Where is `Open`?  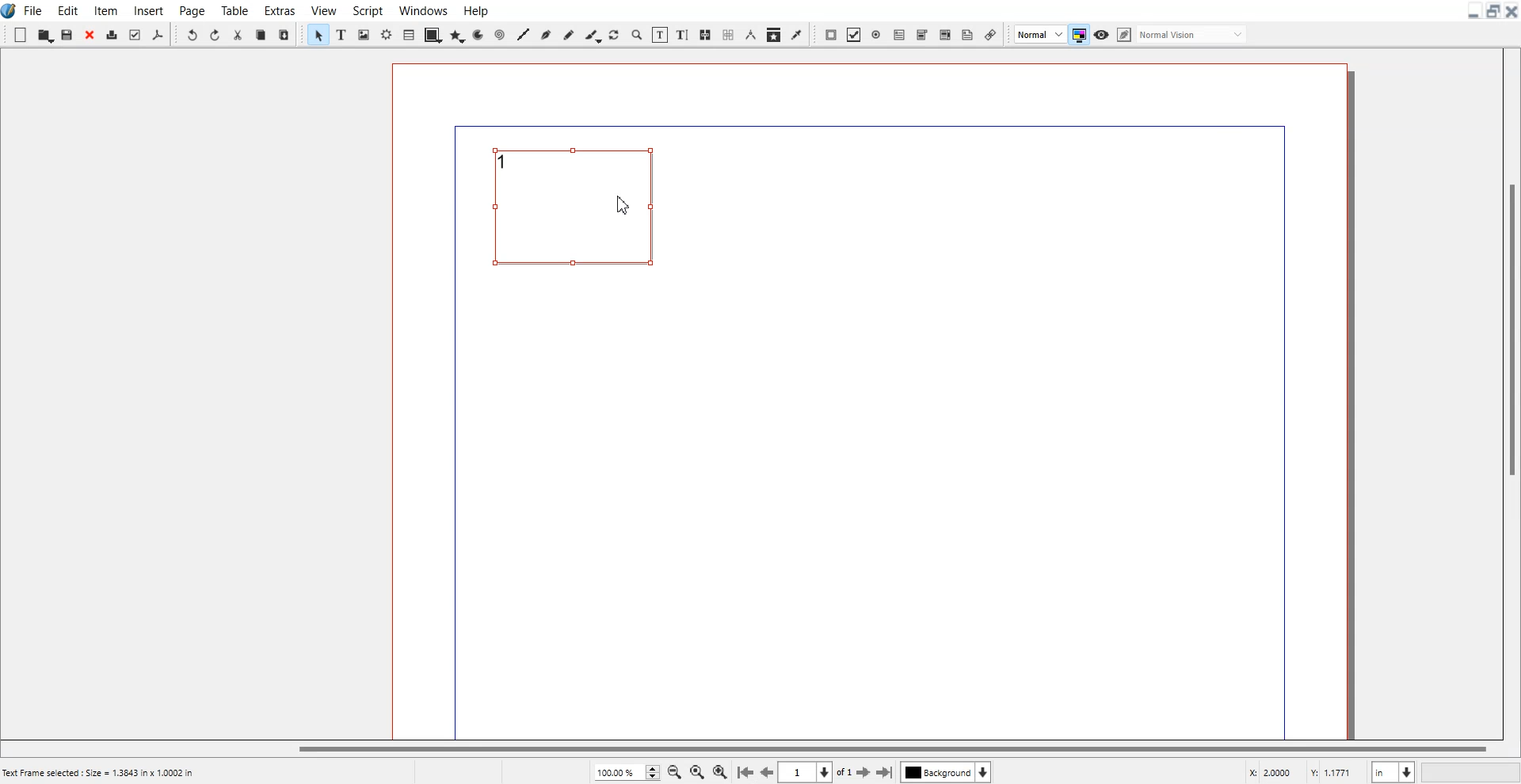
Open is located at coordinates (45, 35).